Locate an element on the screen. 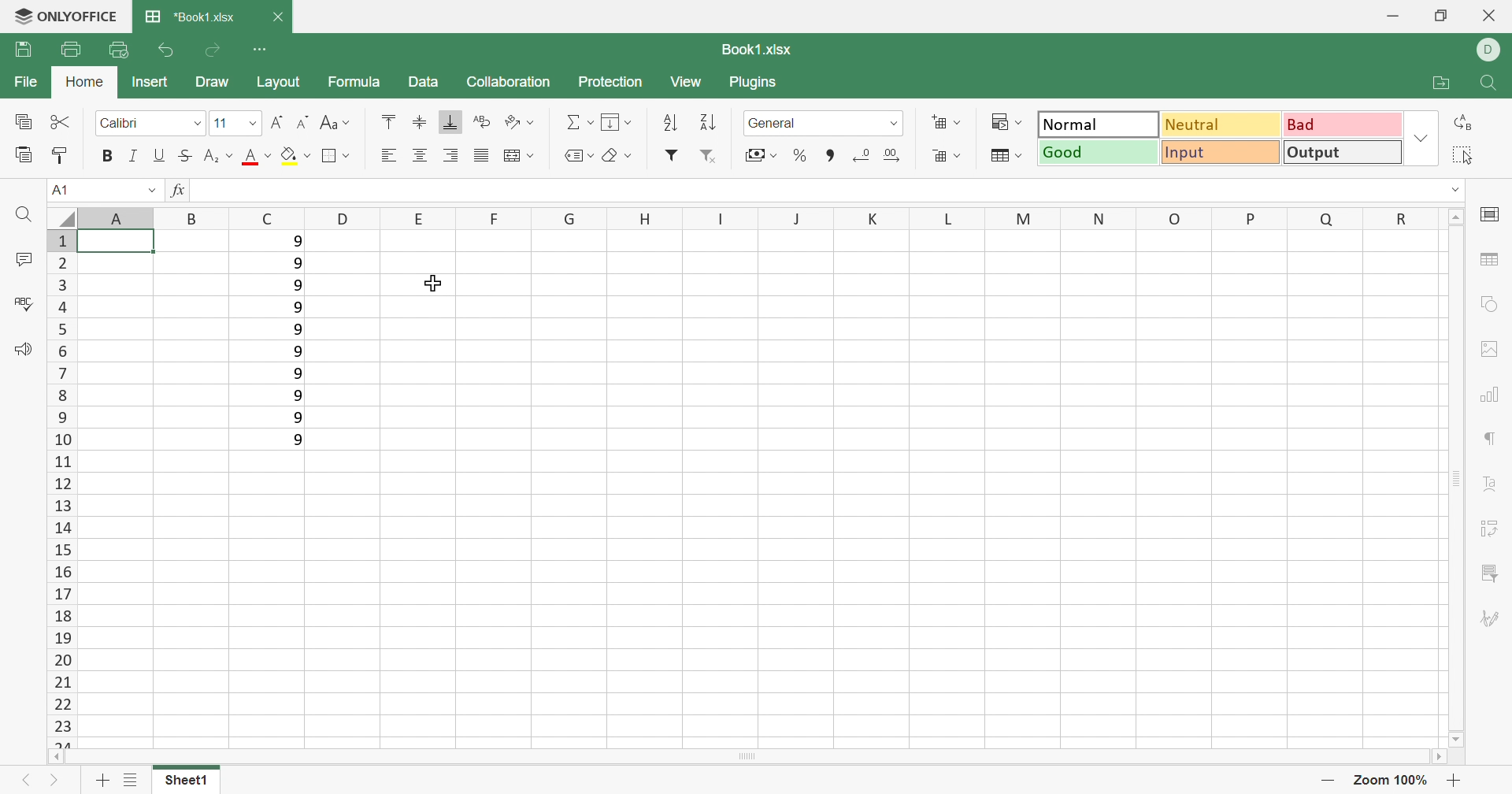 The image size is (1512, 794). Data is located at coordinates (423, 80).